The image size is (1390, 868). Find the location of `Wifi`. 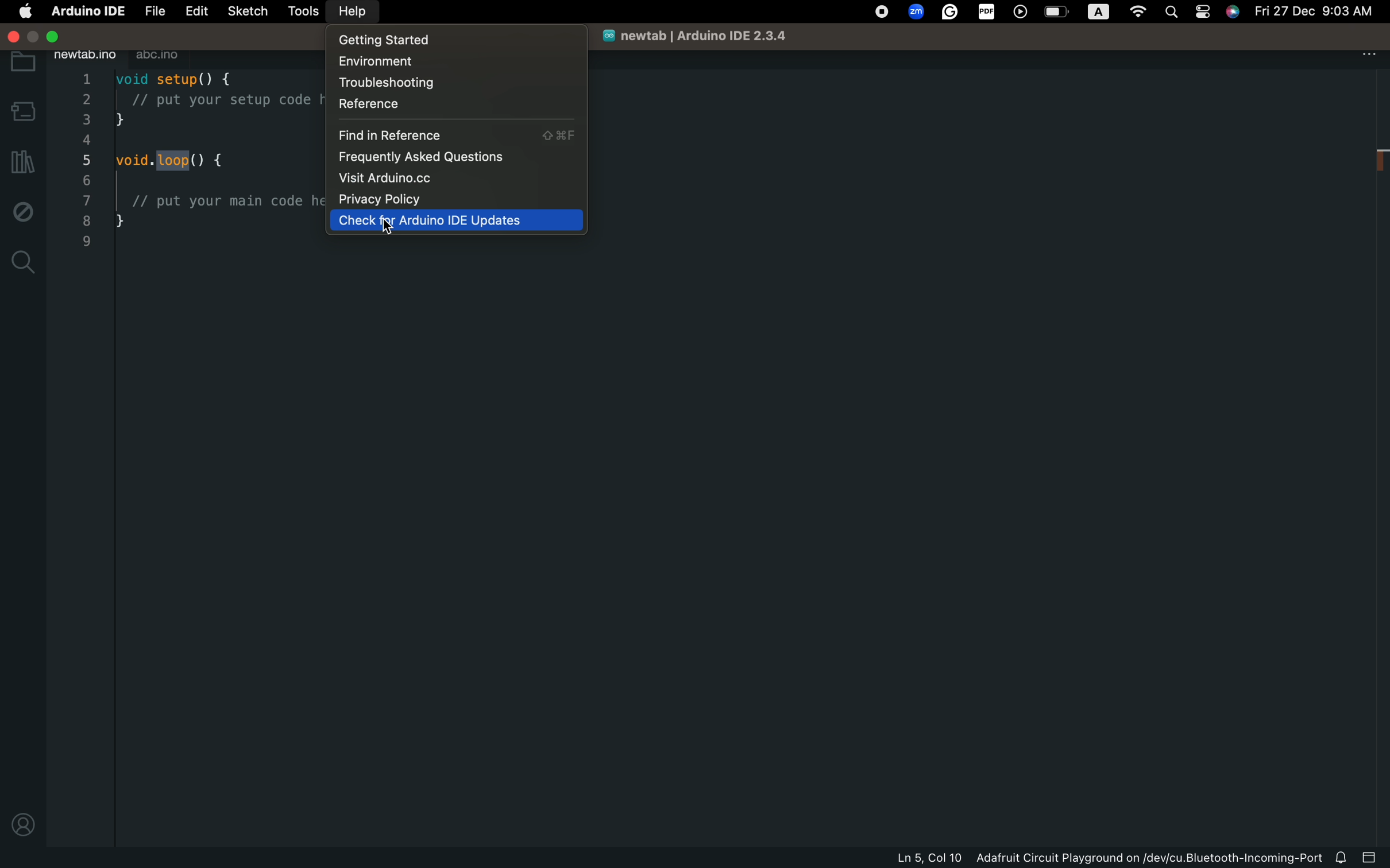

Wifi is located at coordinates (1138, 12).